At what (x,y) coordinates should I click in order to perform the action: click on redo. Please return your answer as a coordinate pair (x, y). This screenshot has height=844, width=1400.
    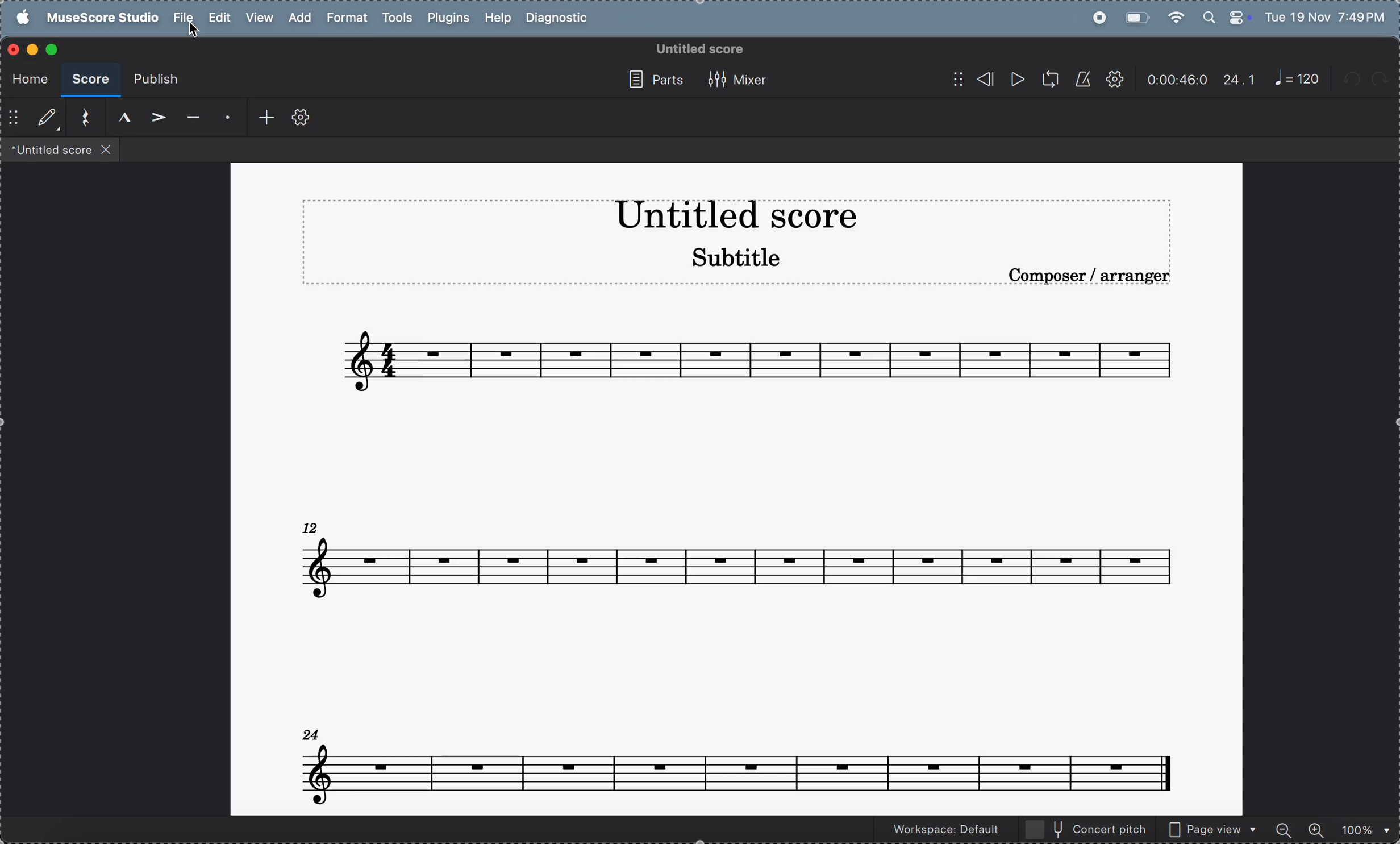
    Looking at the image, I should click on (1386, 80).